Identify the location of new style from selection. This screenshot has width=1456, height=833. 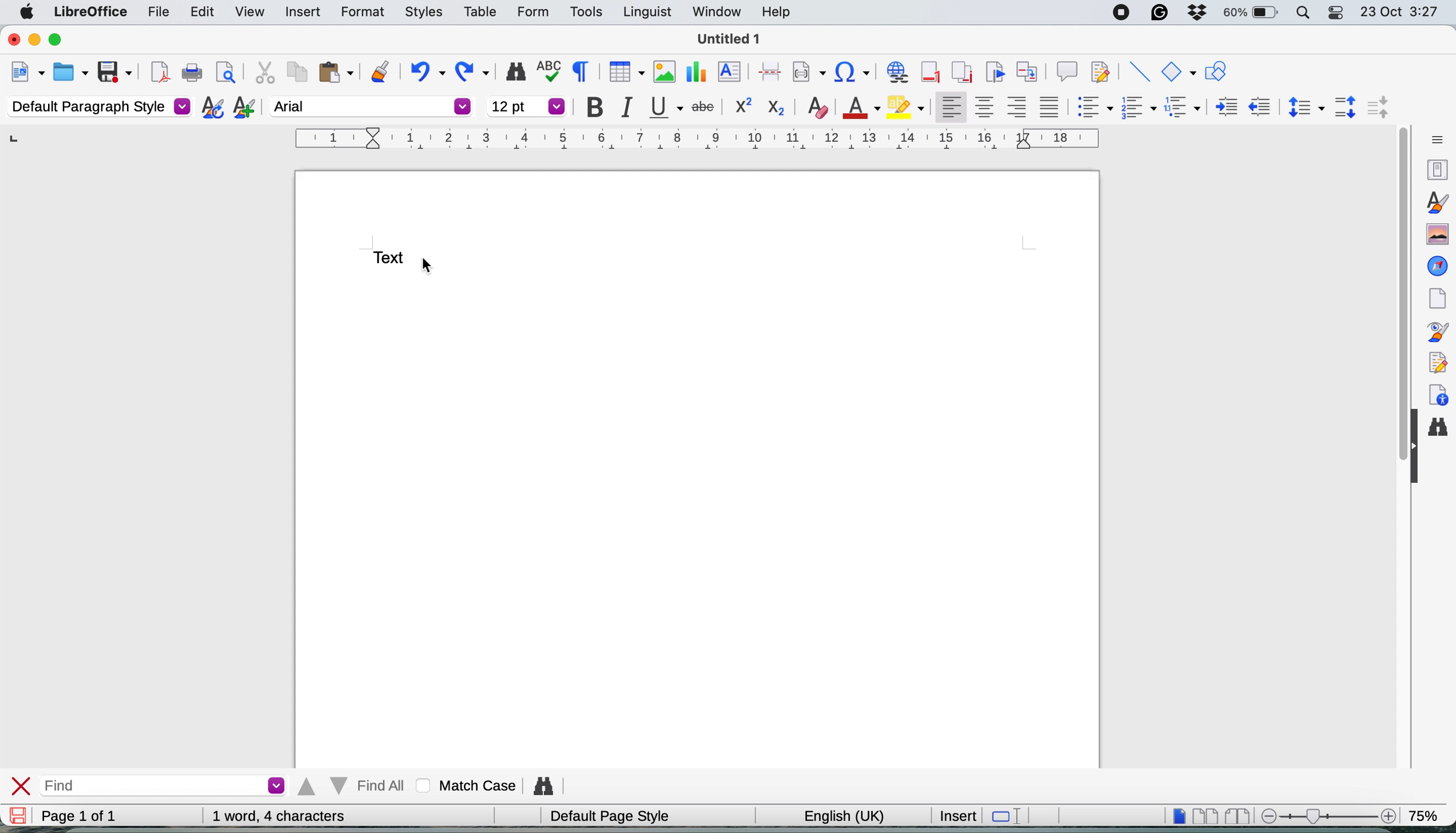
(242, 109).